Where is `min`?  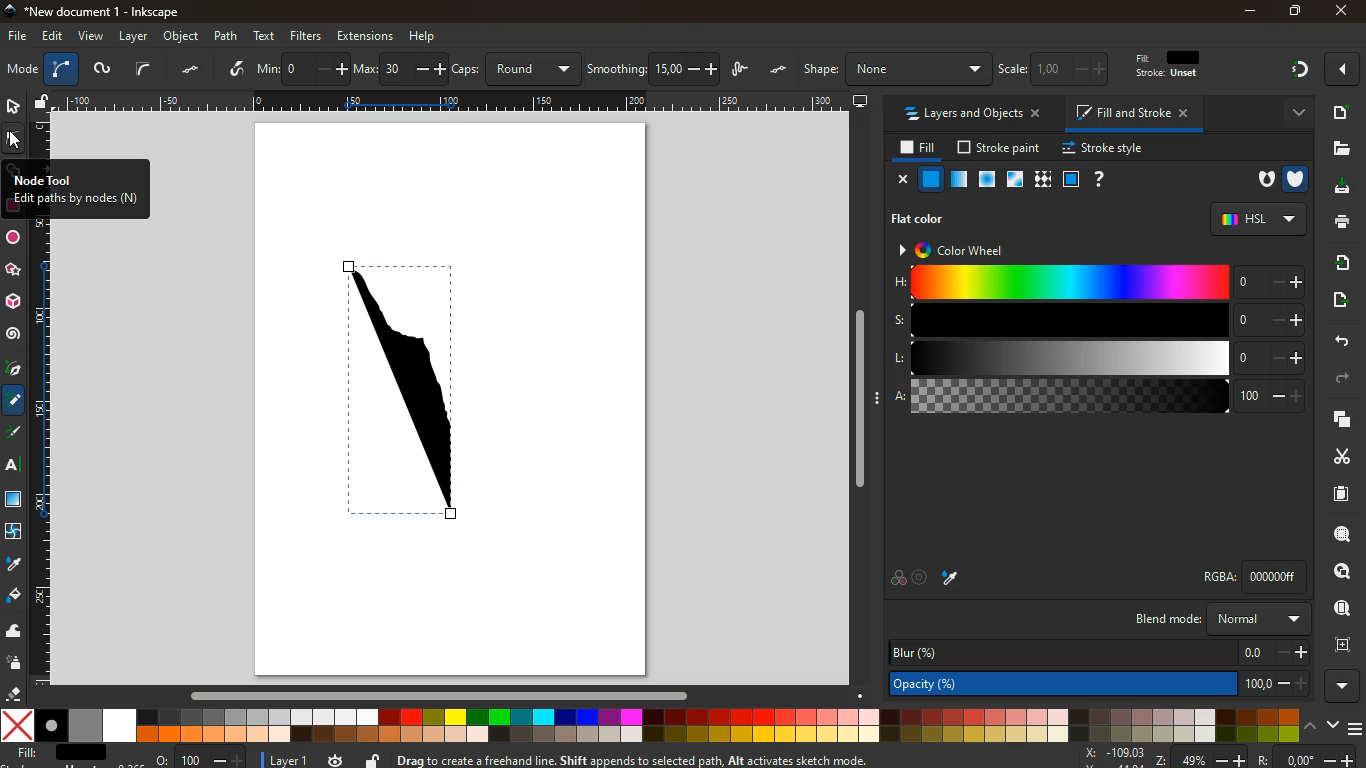 min is located at coordinates (301, 68).